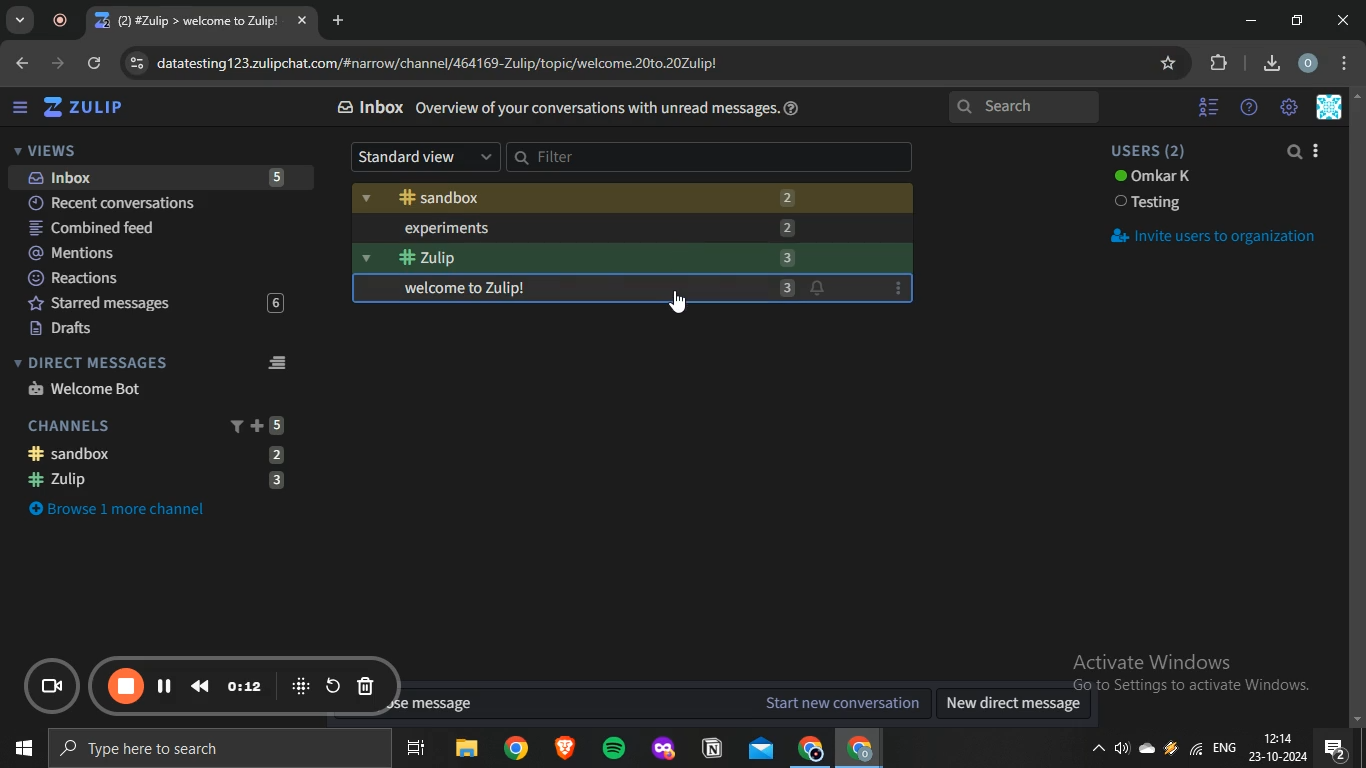 This screenshot has width=1366, height=768. Describe the element at coordinates (858, 749) in the screenshot. I see `google chrome` at that location.